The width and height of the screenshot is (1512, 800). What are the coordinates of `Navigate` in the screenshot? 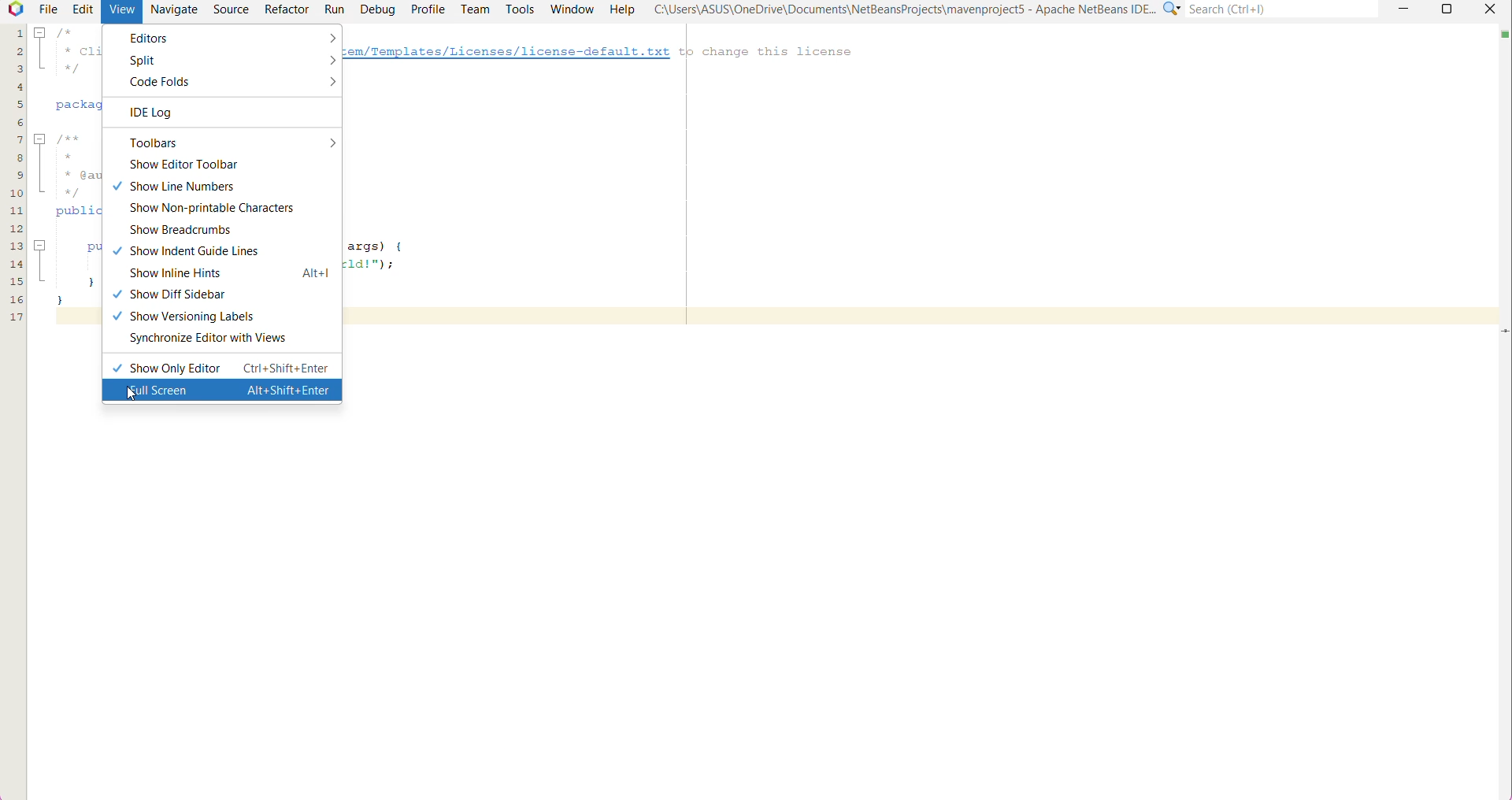 It's located at (175, 9).